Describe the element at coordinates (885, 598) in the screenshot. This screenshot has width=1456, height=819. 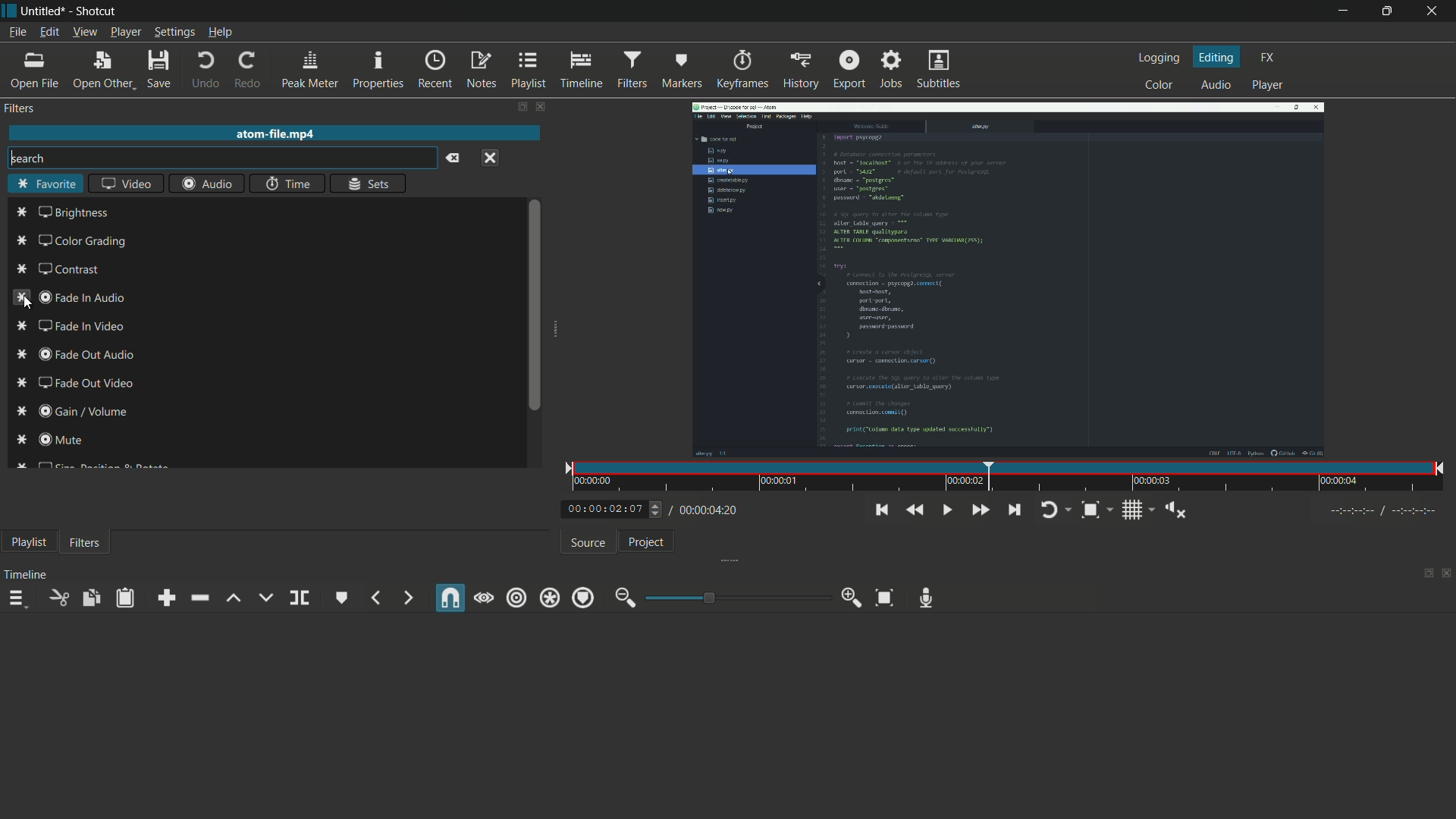
I see `zoom timeline to fit` at that location.